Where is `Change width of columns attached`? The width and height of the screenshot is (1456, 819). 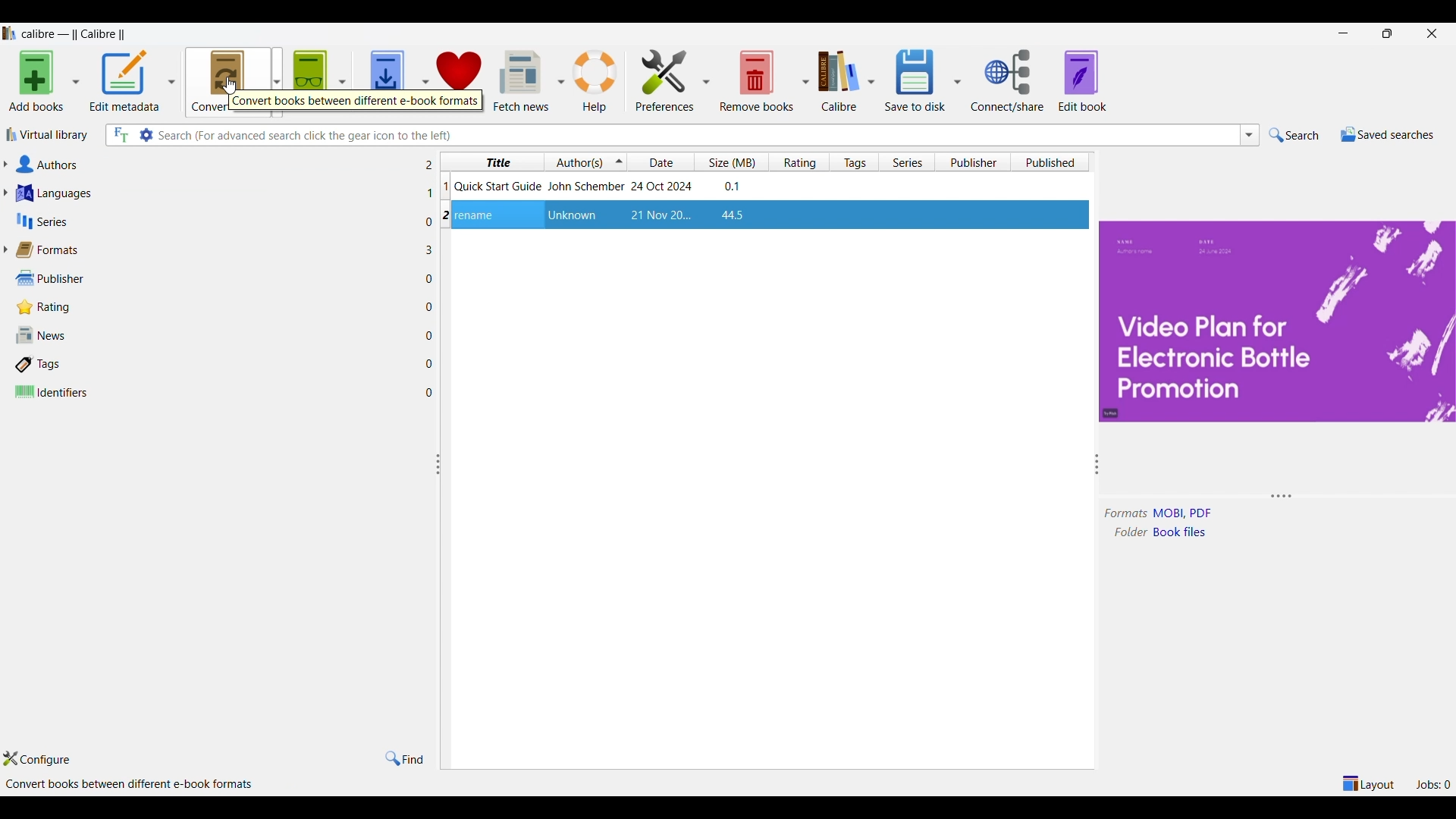 Change width of columns attached is located at coordinates (444, 549).